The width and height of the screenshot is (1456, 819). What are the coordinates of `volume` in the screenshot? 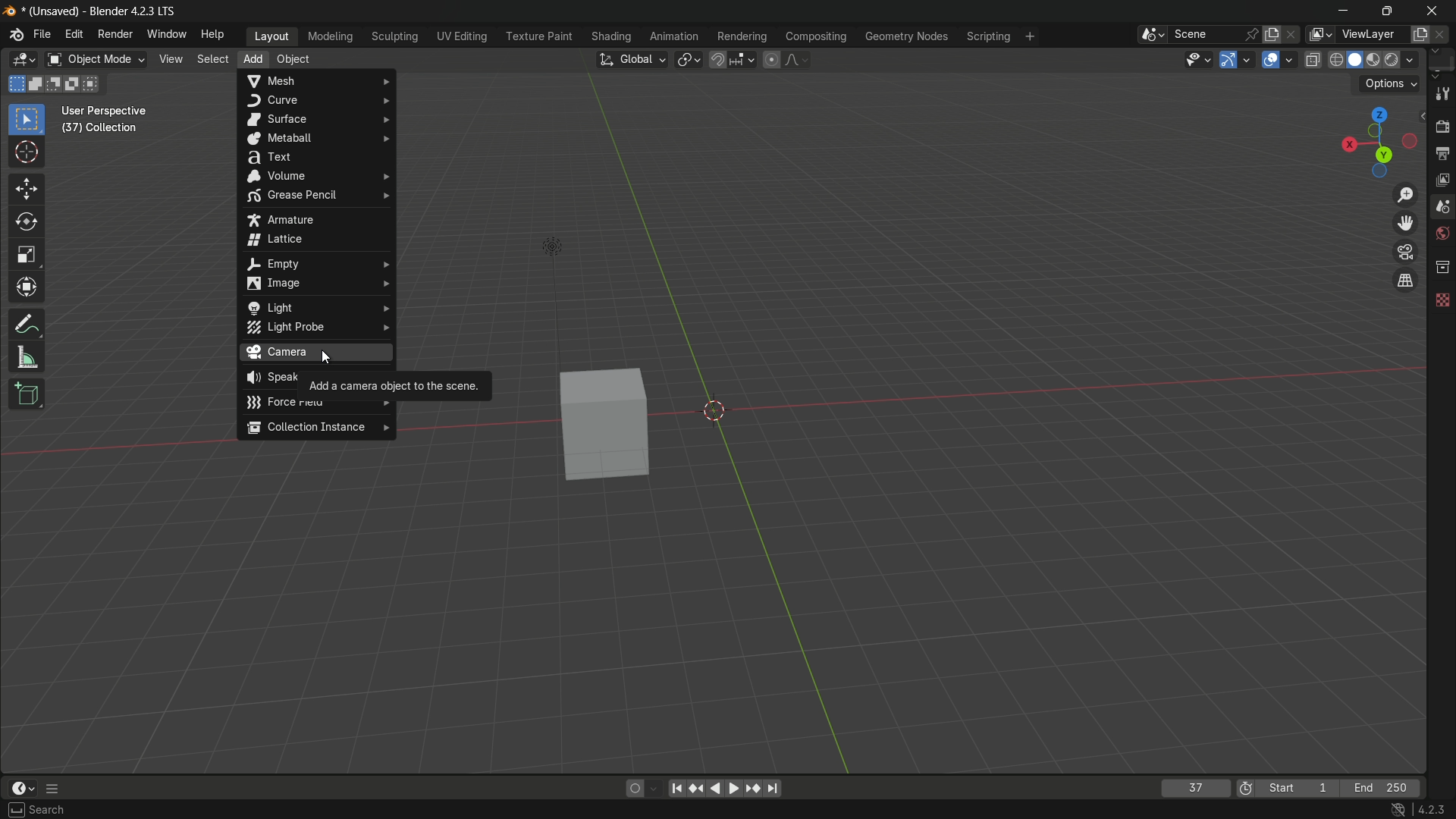 It's located at (315, 177).